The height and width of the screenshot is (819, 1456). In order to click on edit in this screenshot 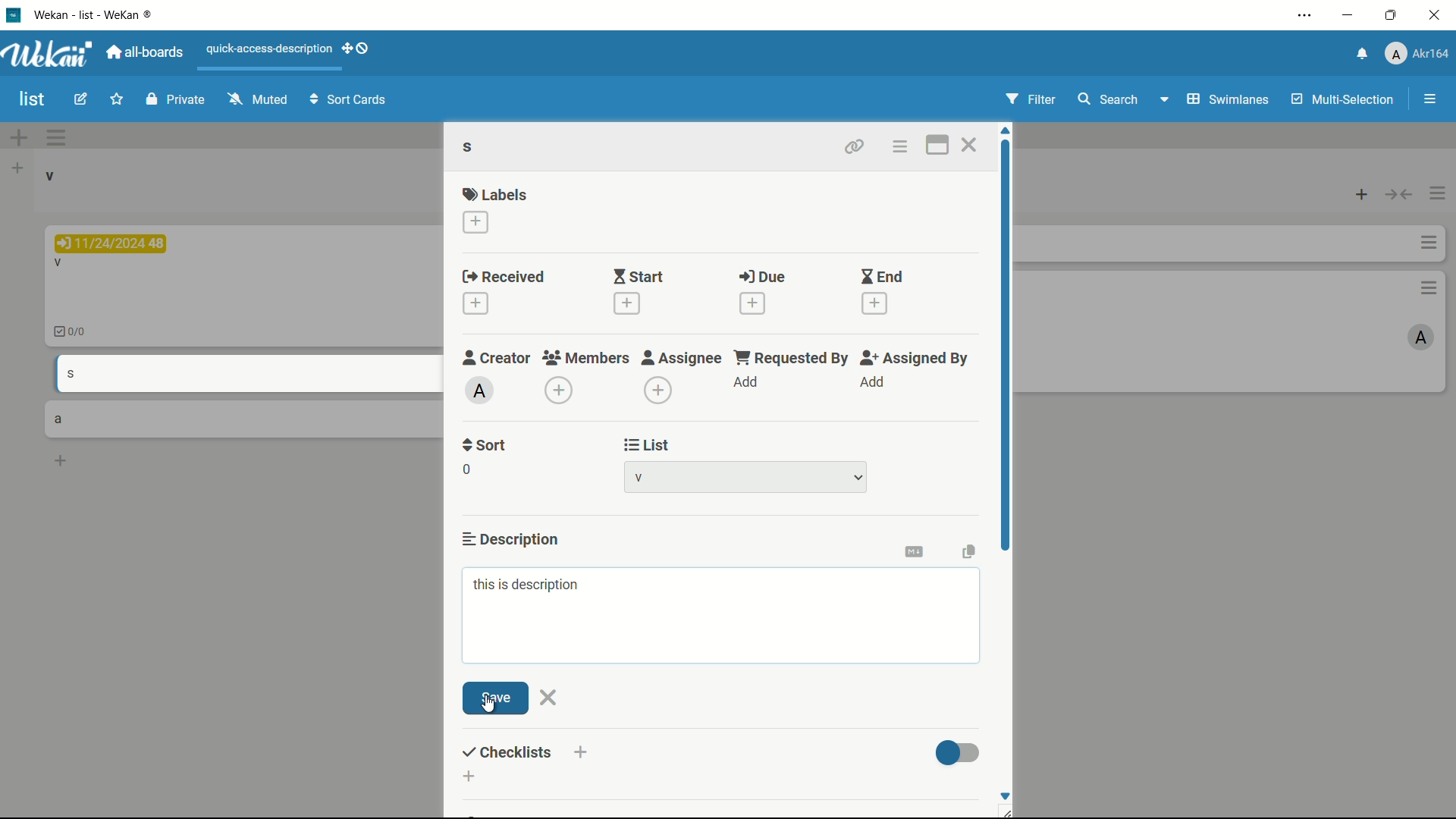, I will do `click(80, 100)`.